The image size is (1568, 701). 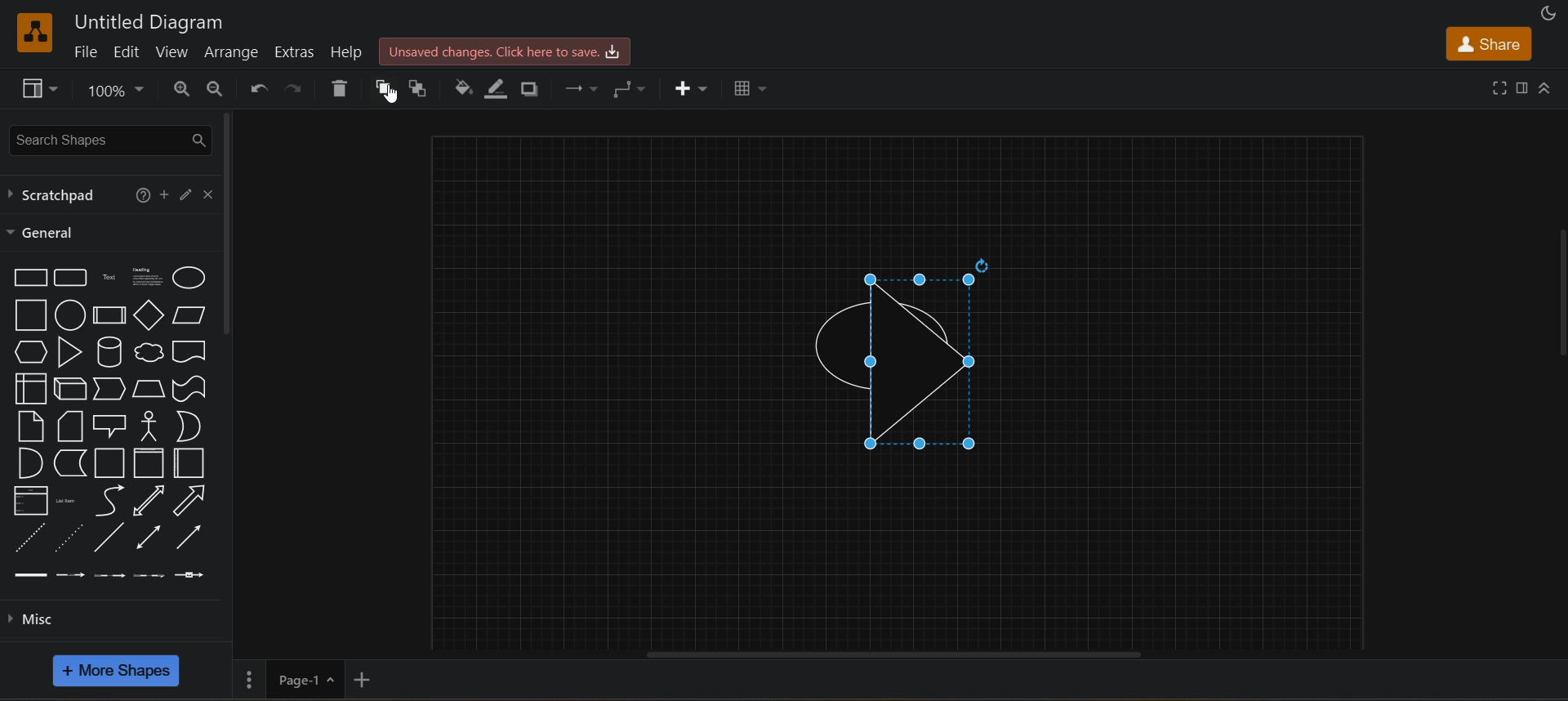 I want to click on to front, so click(x=381, y=87).